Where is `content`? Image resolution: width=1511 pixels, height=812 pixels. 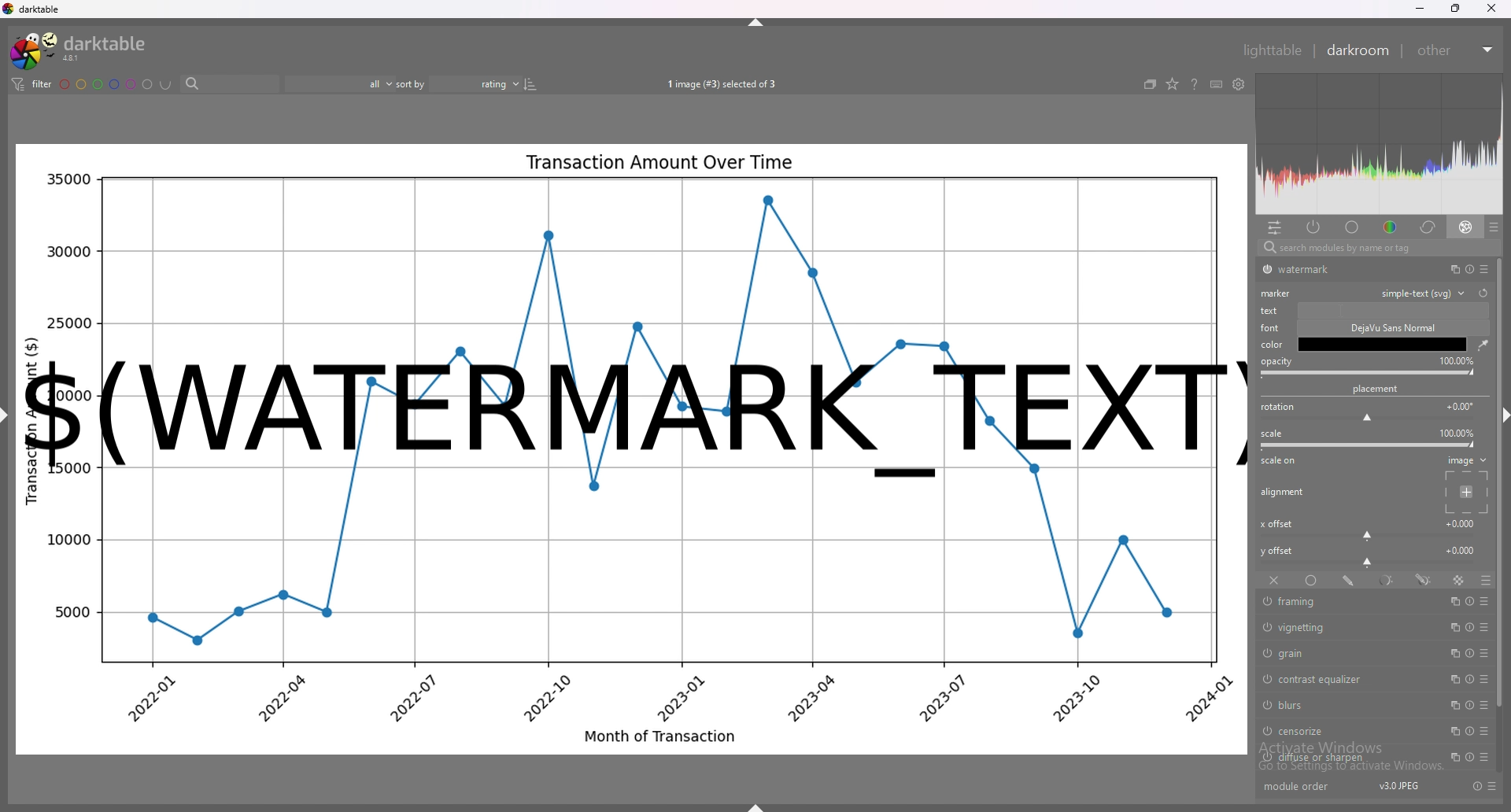
content is located at coordinates (1391, 310).